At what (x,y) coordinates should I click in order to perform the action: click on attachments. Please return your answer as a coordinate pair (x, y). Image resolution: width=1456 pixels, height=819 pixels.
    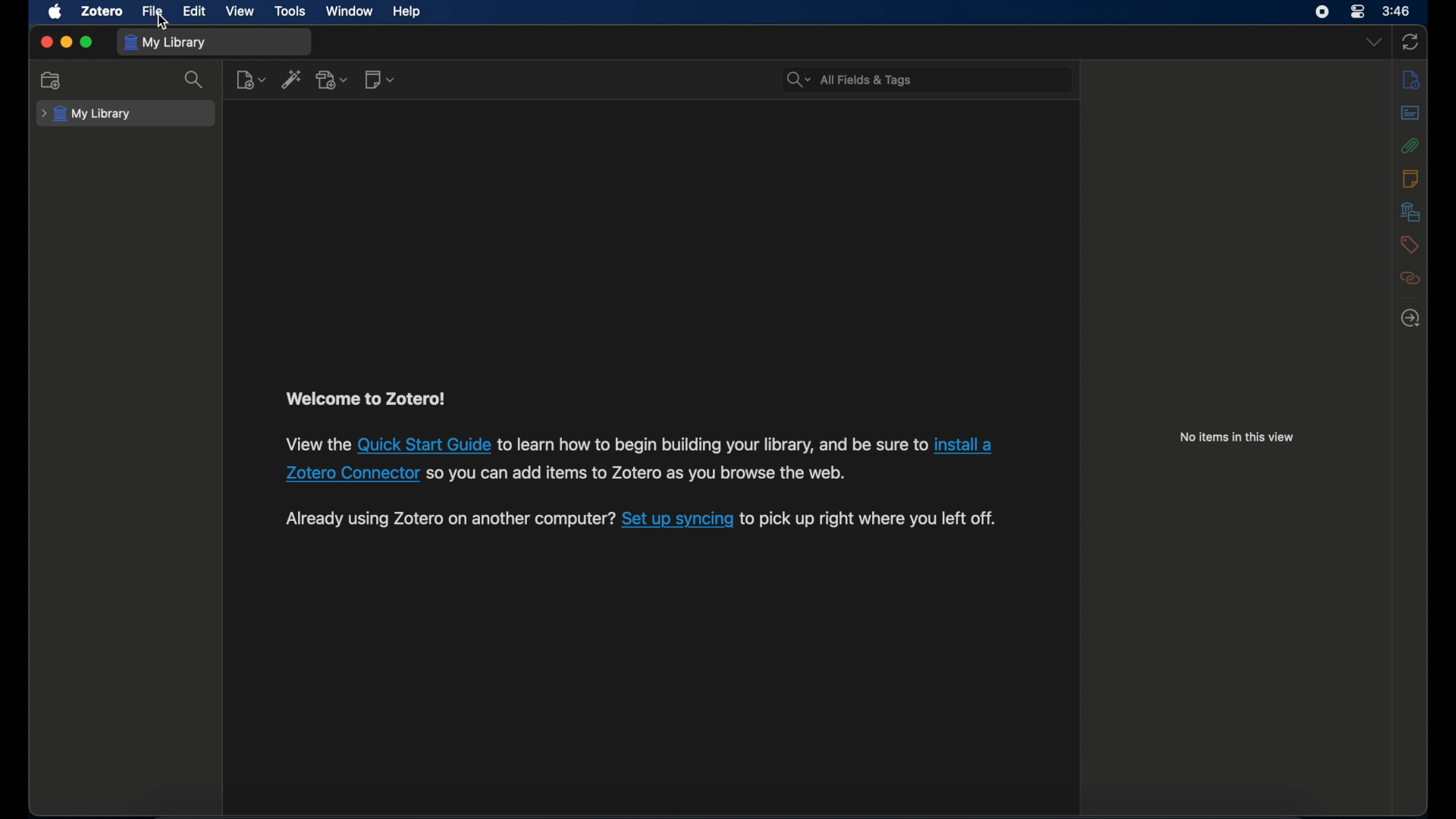
    Looking at the image, I should click on (1410, 146).